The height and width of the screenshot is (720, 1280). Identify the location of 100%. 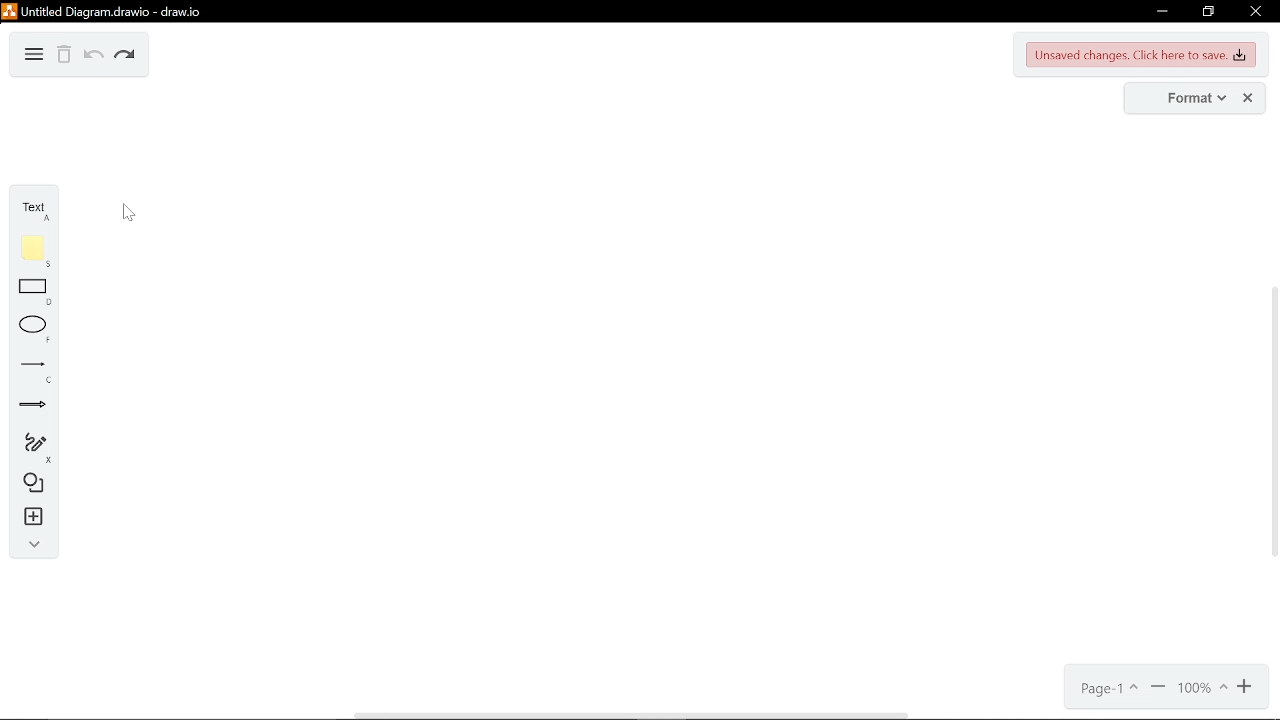
(1206, 689).